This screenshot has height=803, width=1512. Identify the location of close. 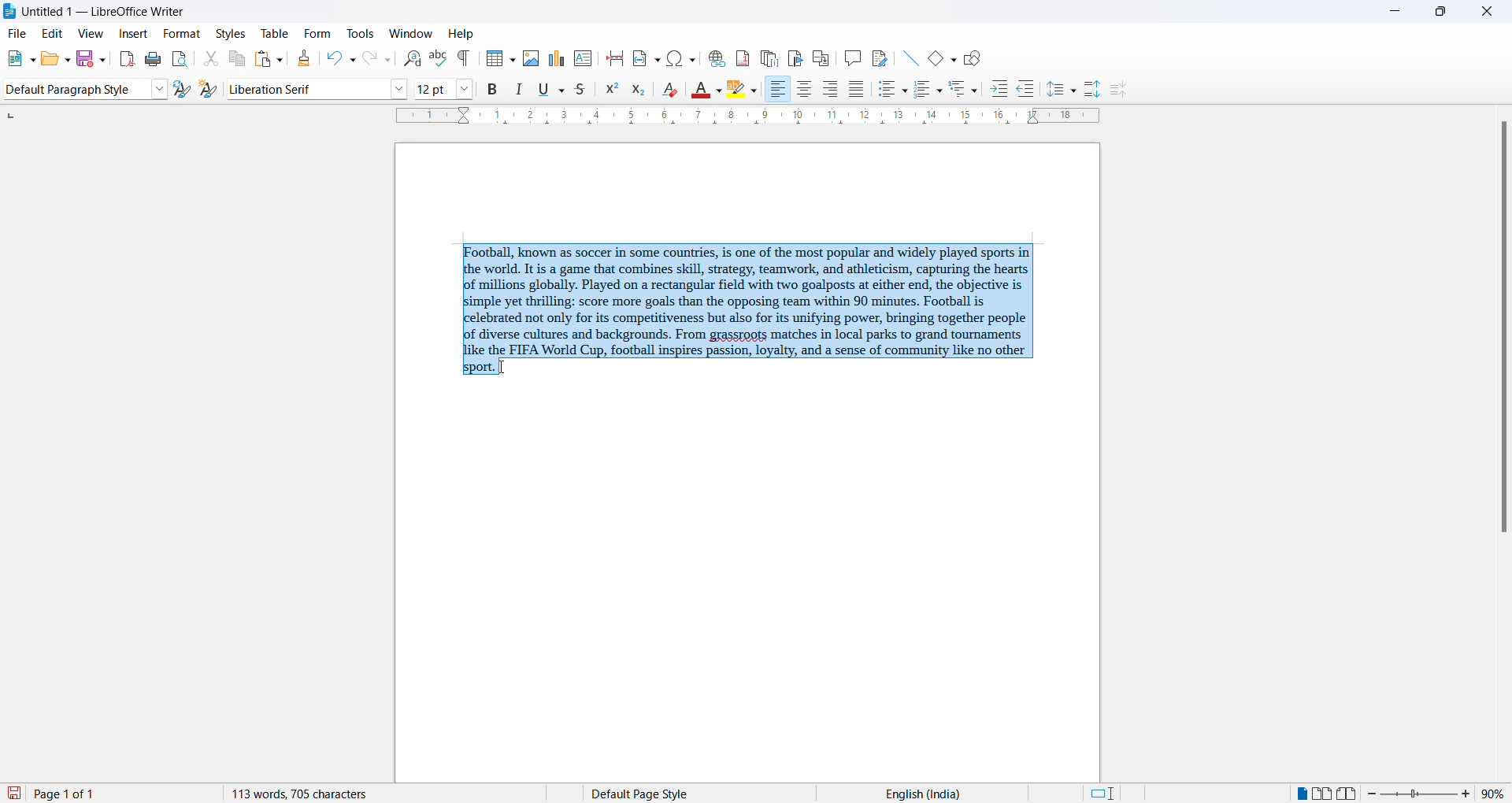
(1489, 13).